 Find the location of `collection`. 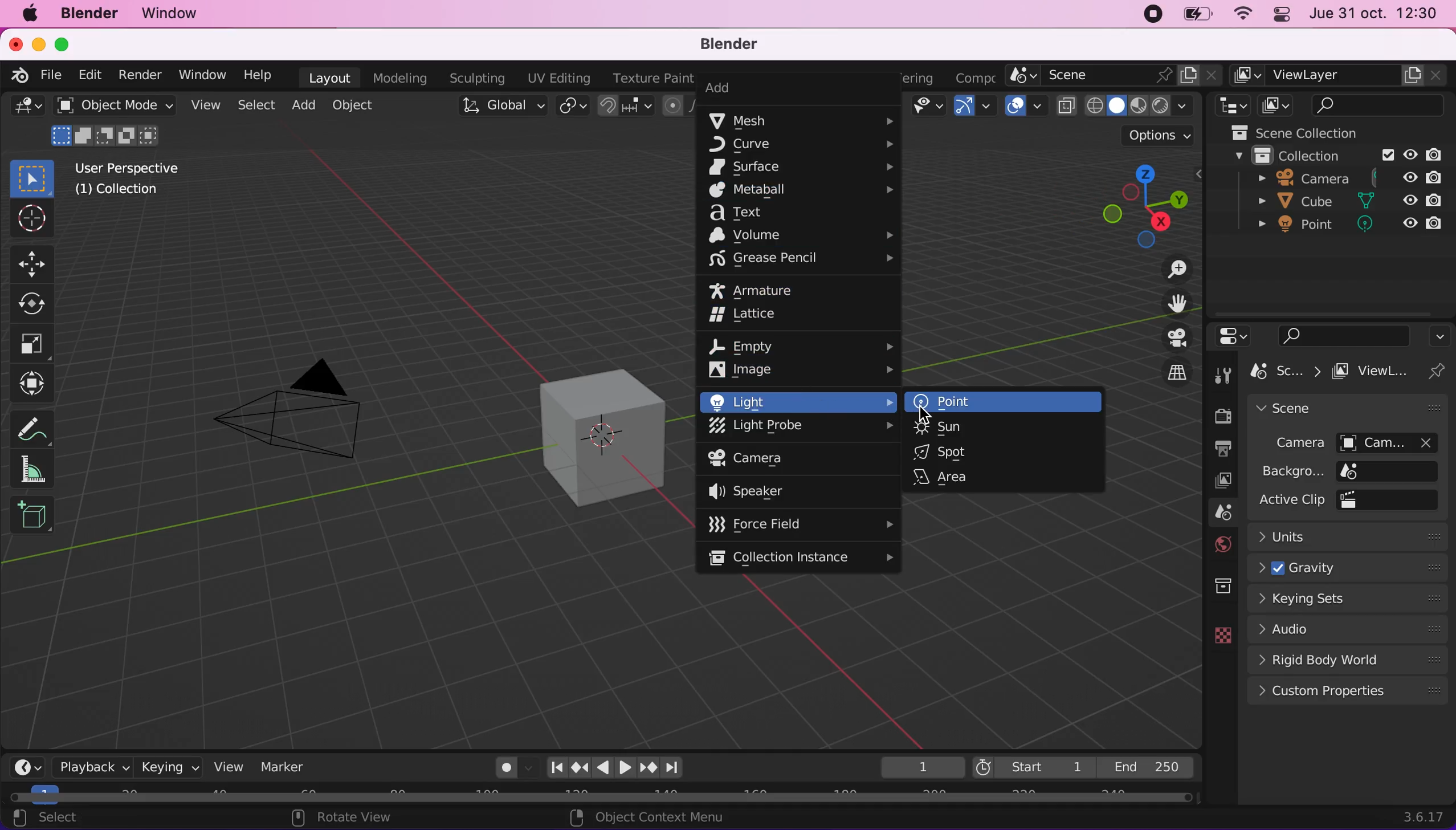

collection is located at coordinates (1221, 583).